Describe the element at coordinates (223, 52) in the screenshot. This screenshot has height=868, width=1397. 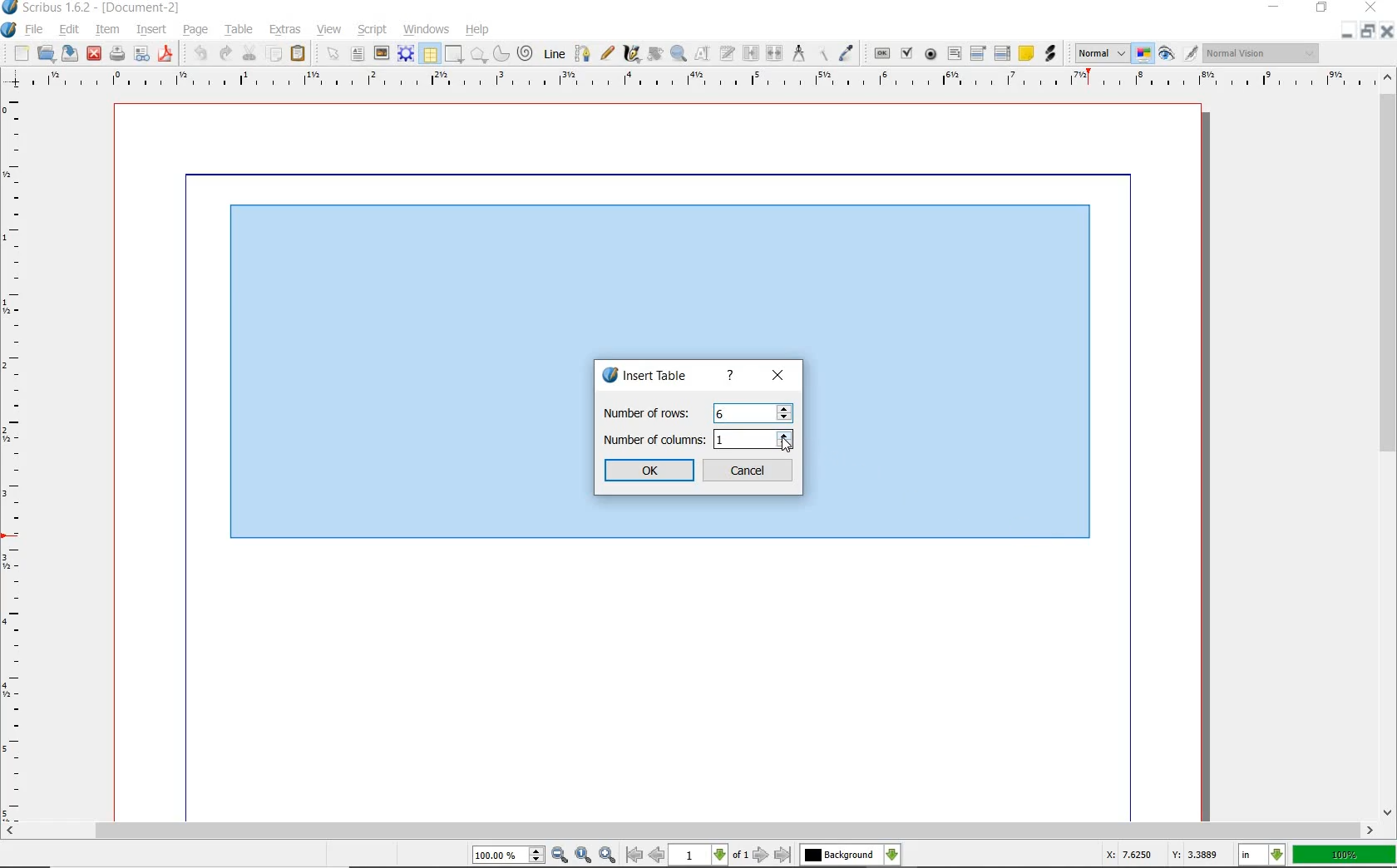
I see `redo` at that location.